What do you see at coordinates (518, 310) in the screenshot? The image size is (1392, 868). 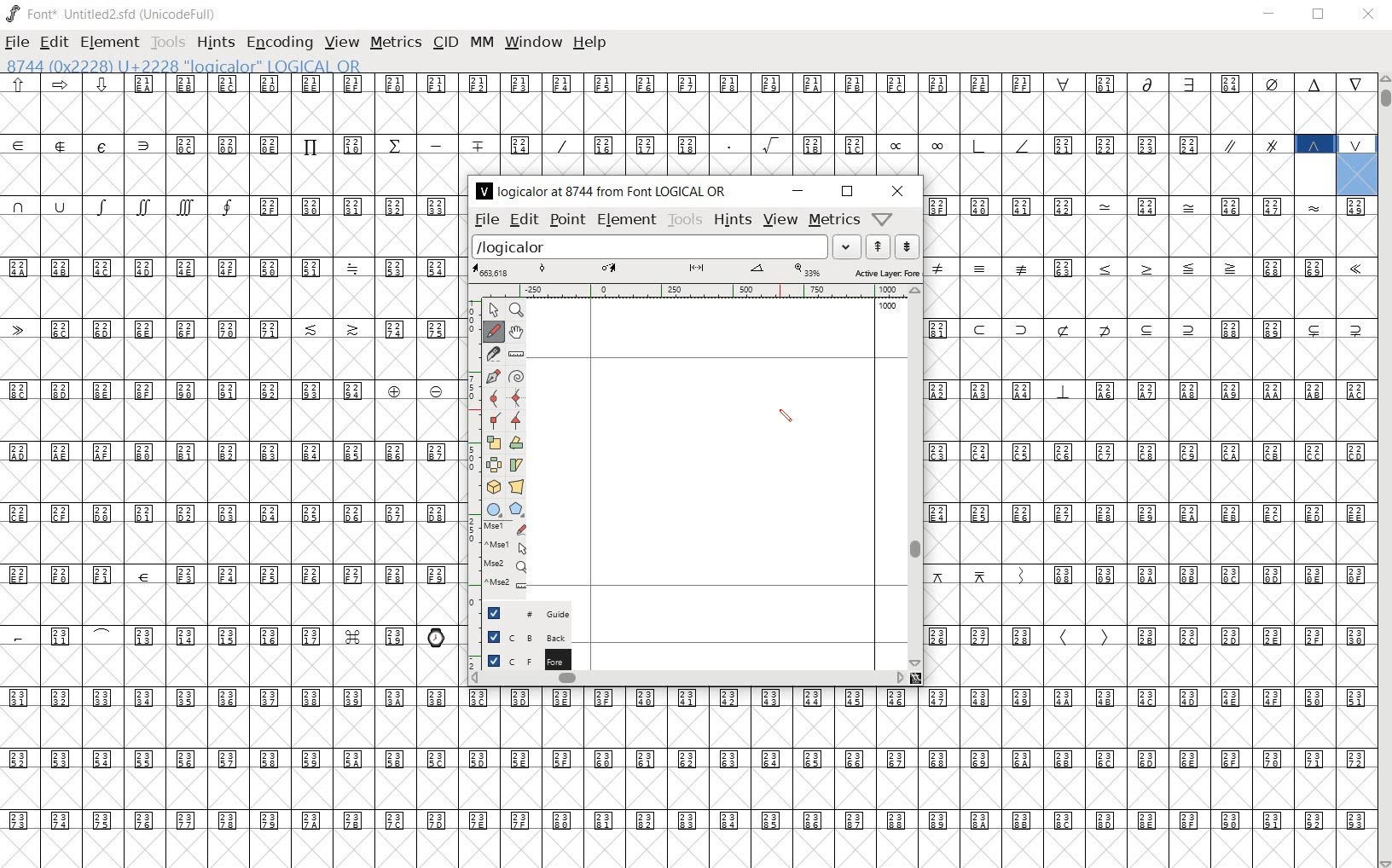 I see `MAGNIFY` at bounding box center [518, 310].